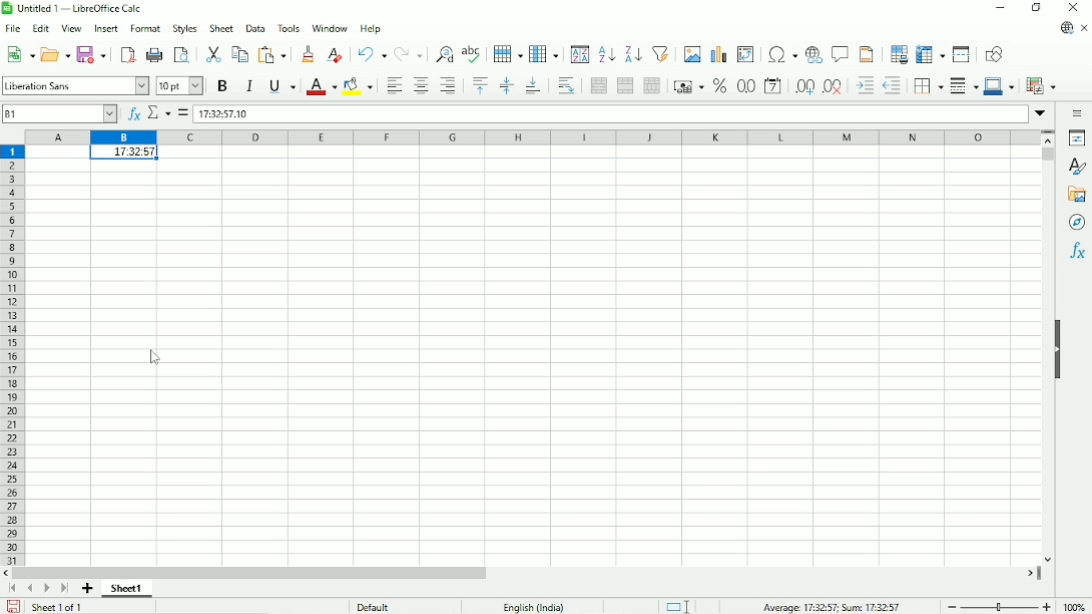 Image resolution: width=1092 pixels, height=614 pixels. Describe the element at coordinates (688, 86) in the screenshot. I see `Format as currency` at that location.